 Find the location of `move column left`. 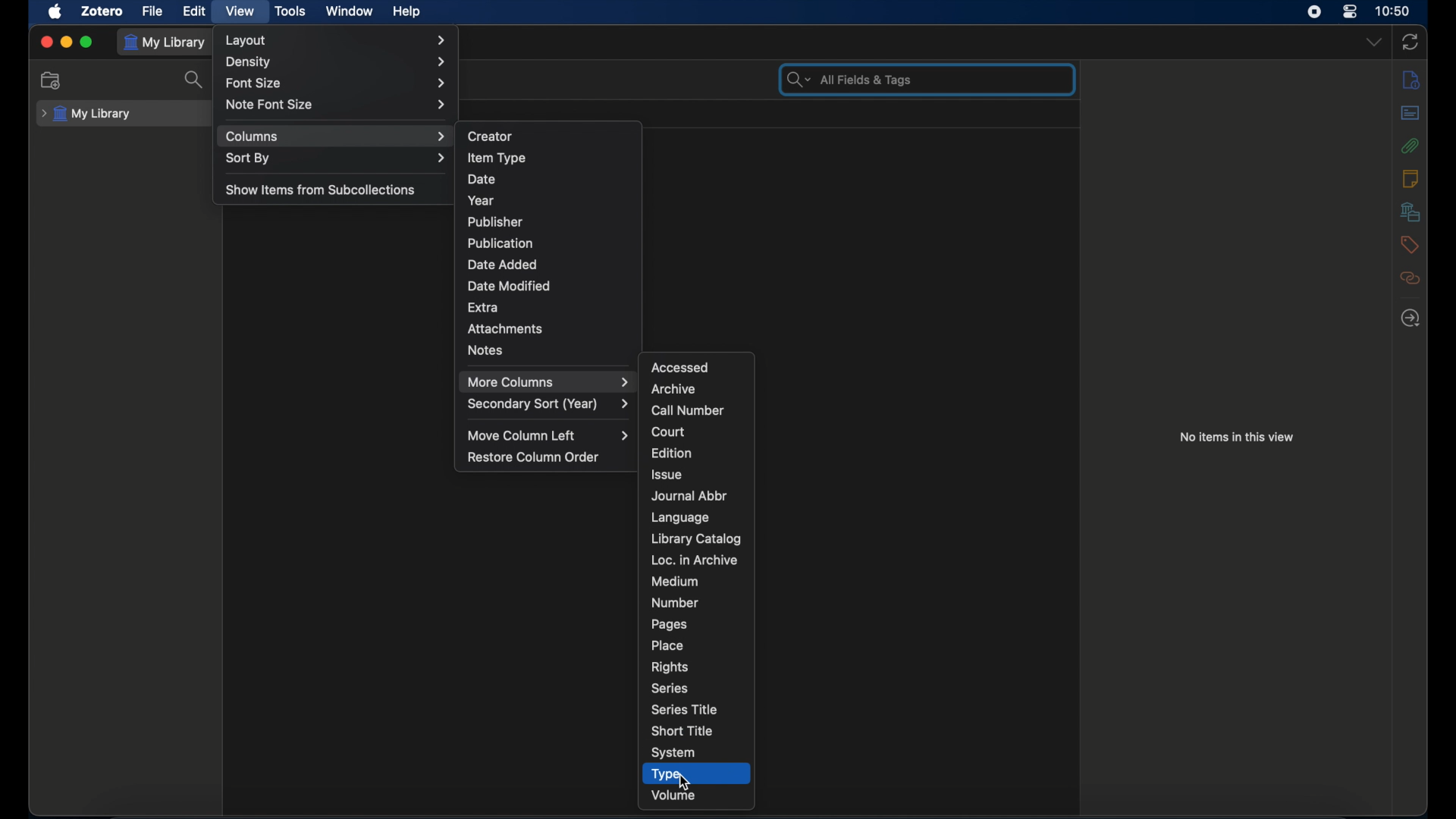

move column left is located at coordinates (548, 436).